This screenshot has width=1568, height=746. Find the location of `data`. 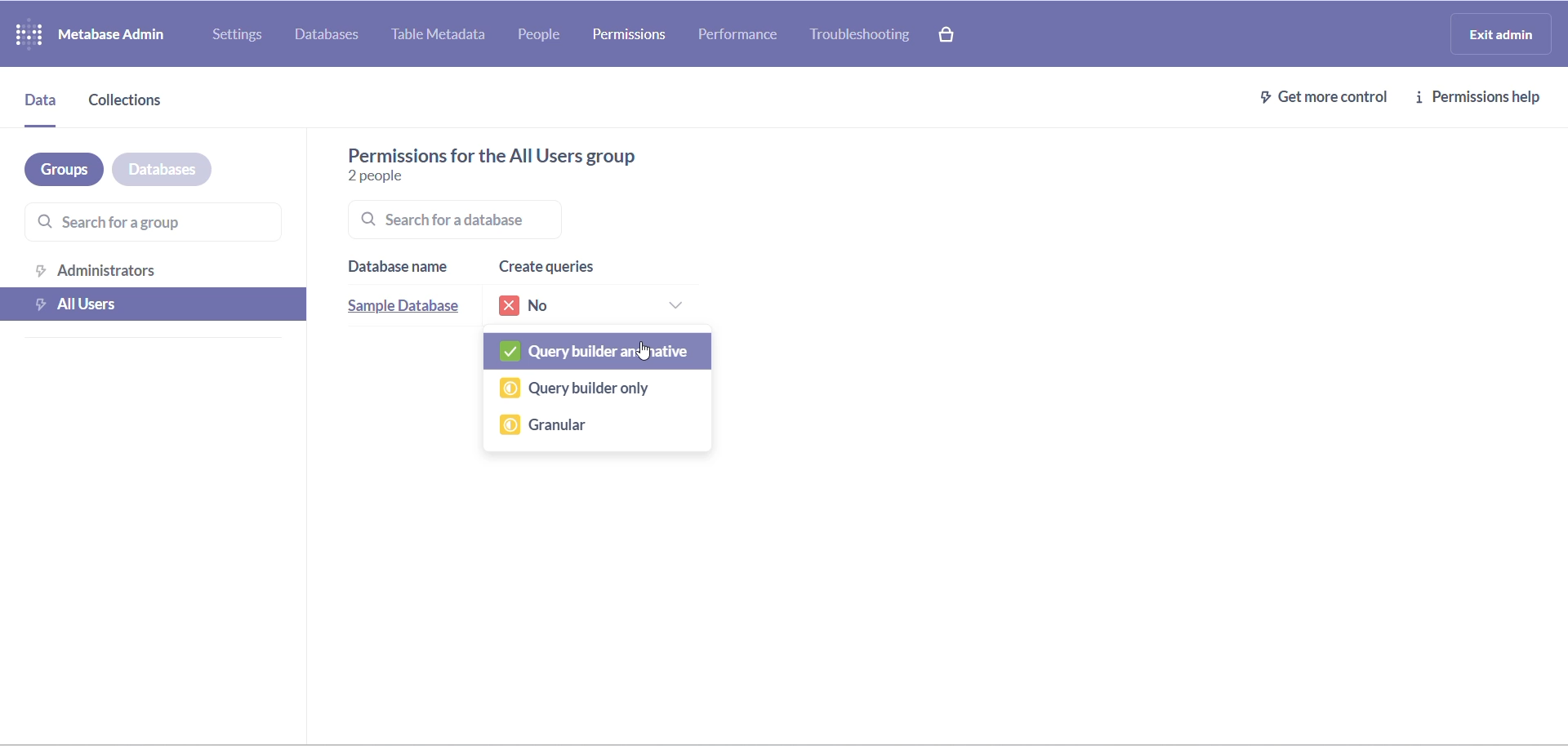

data is located at coordinates (40, 106).